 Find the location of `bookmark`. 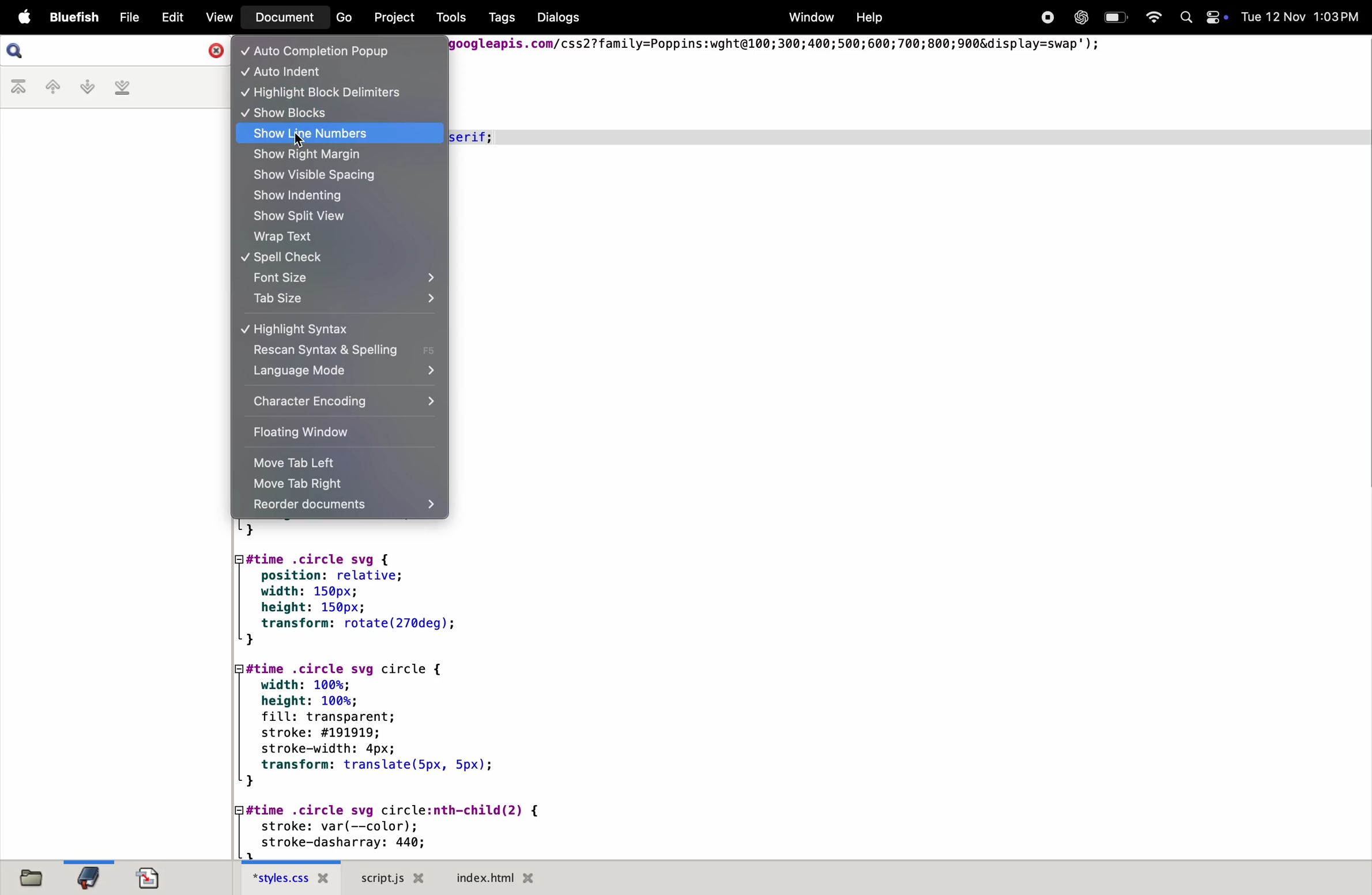

bookmark is located at coordinates (93, 875).